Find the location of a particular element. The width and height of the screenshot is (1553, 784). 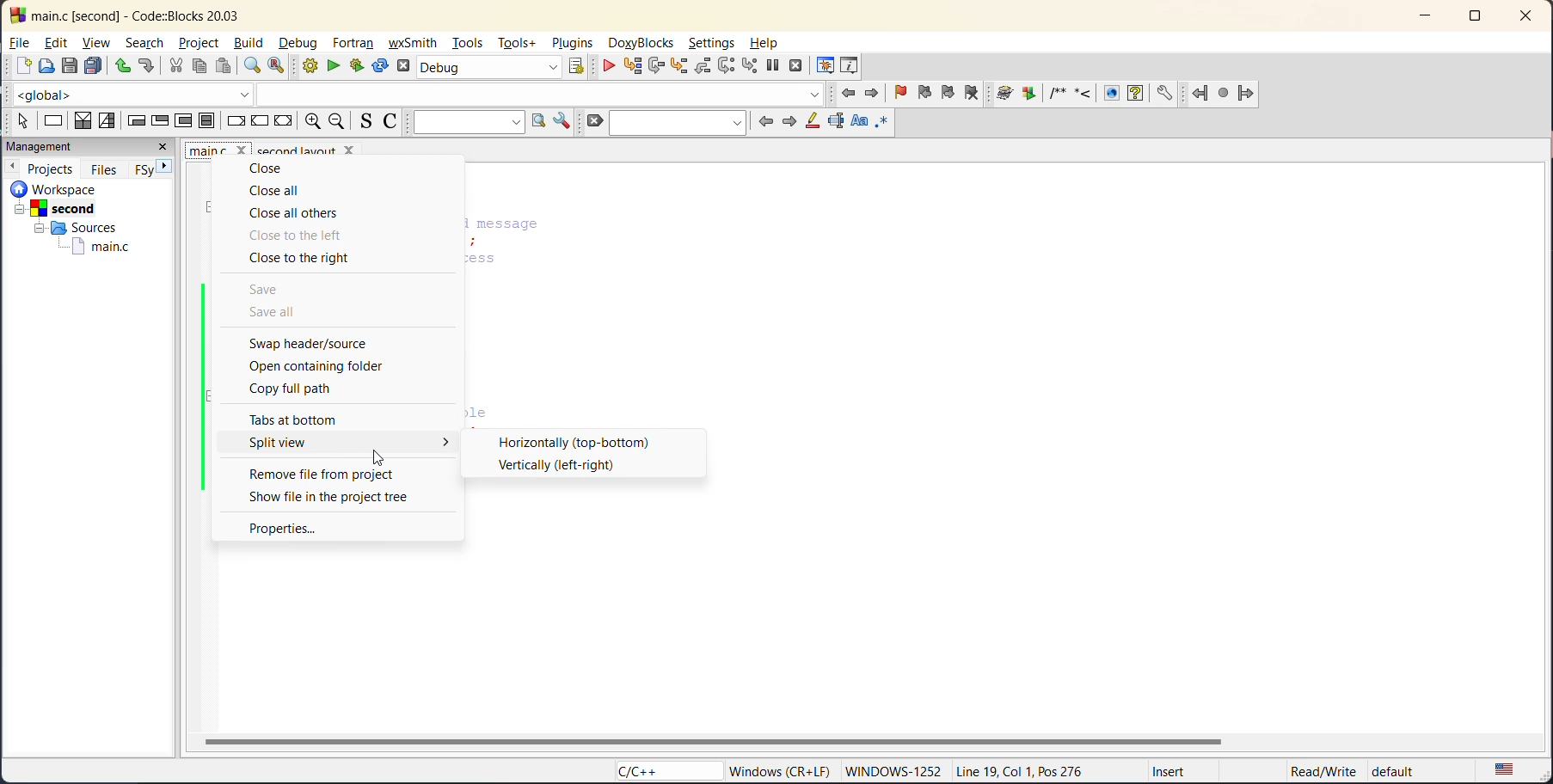

vertically is located at coordinates (557, 466).